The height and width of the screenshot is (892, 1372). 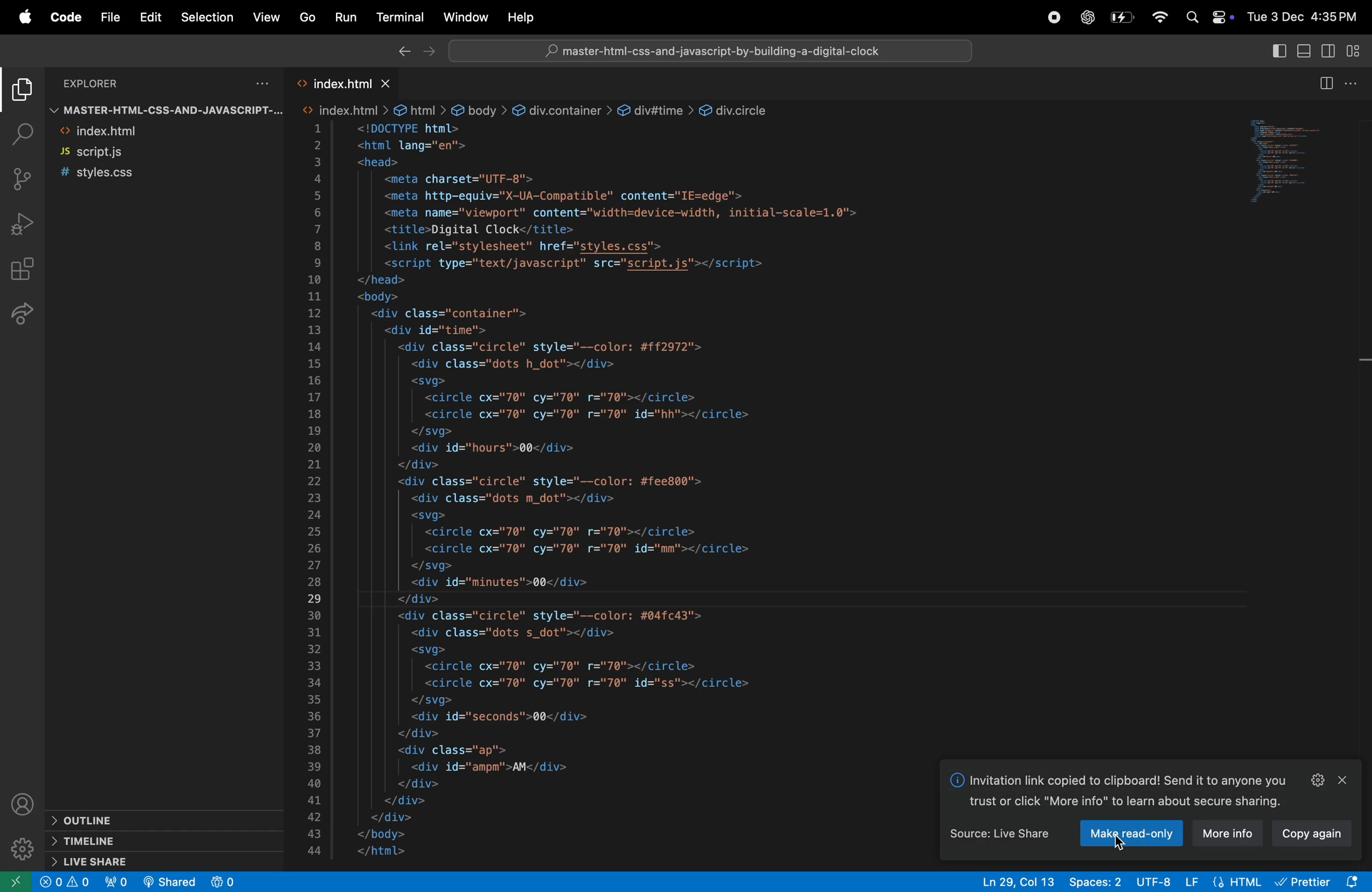 What do you see at coordinates (21, 92) in the screenshot?
I see `explorer` at bounding box center [21, 92].